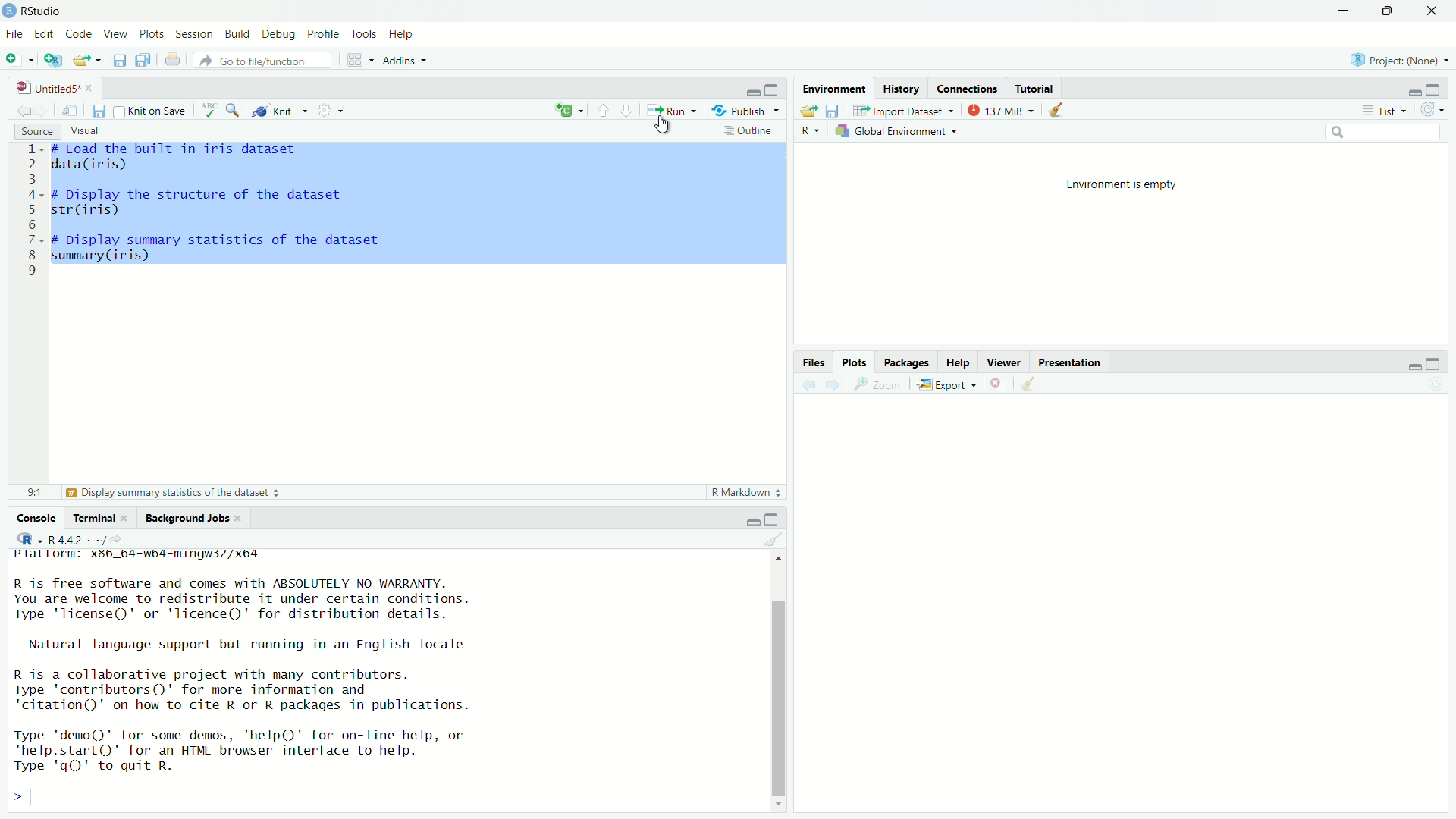 This screenshot has height=819, width=1456. I want to click on File, so click(15, 34).